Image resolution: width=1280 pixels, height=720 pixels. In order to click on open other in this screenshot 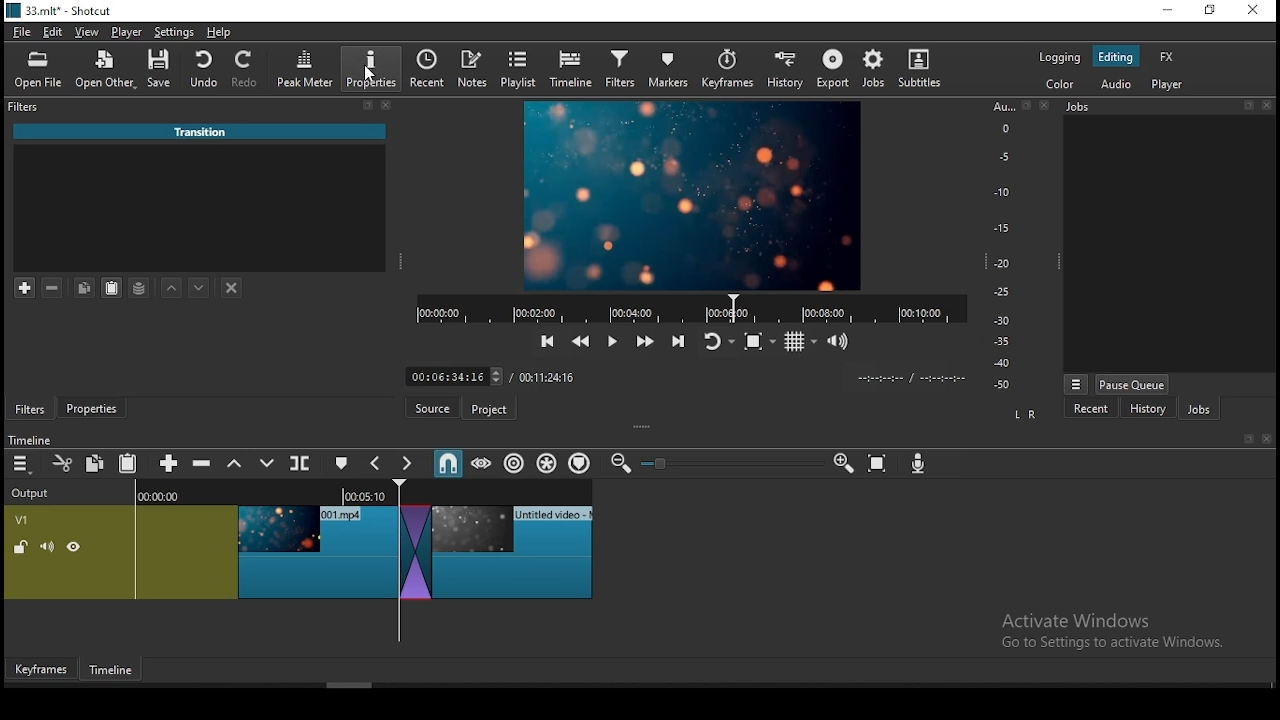, I will do `click(107, 74)`.